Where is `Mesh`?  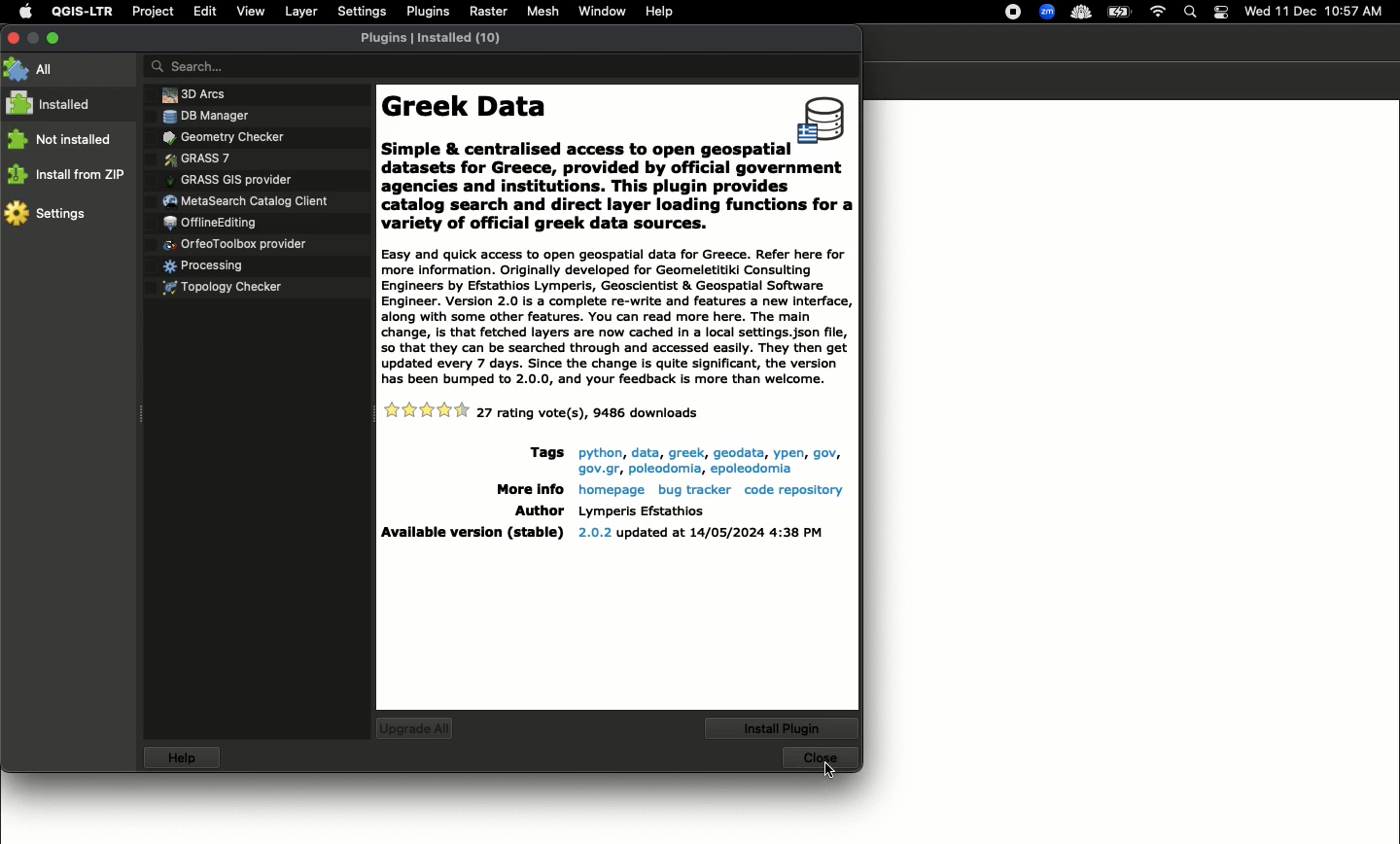
Mesh is located at coordinates (543, 13).